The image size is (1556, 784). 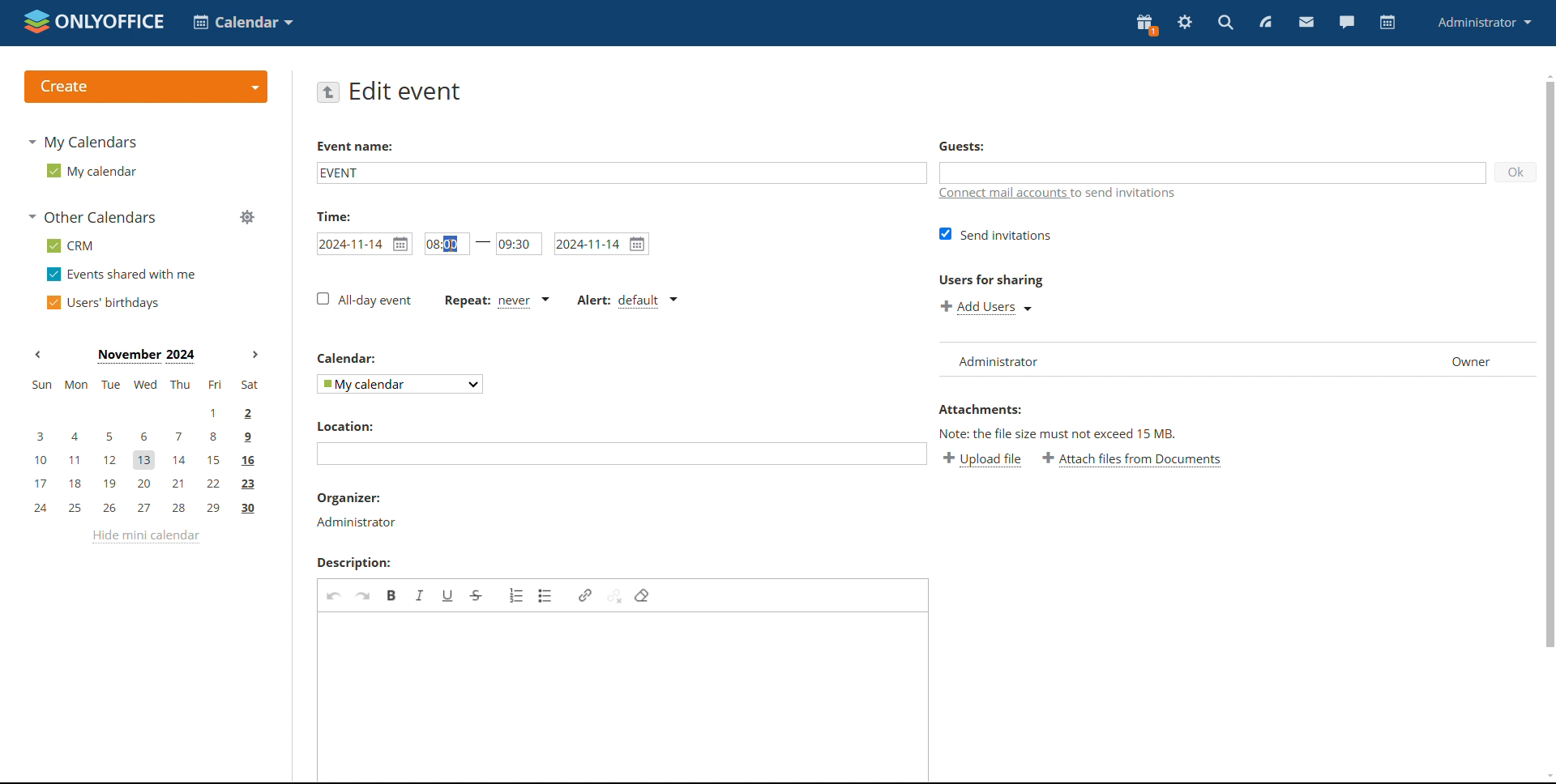 I want to click on location, so click(x=344, y=425).